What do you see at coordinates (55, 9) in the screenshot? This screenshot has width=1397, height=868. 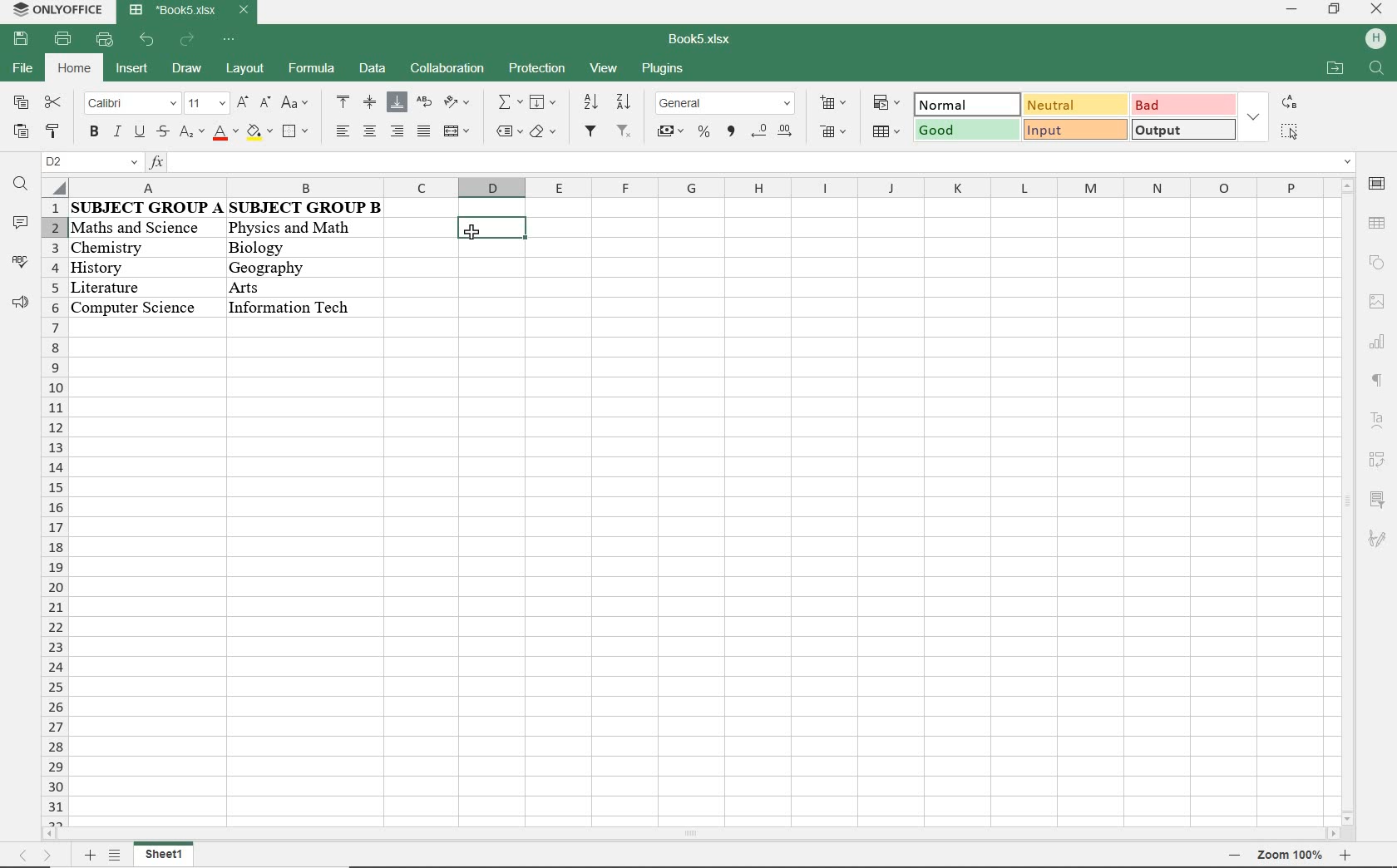 I see `system name` at bounding box center [55, 9].